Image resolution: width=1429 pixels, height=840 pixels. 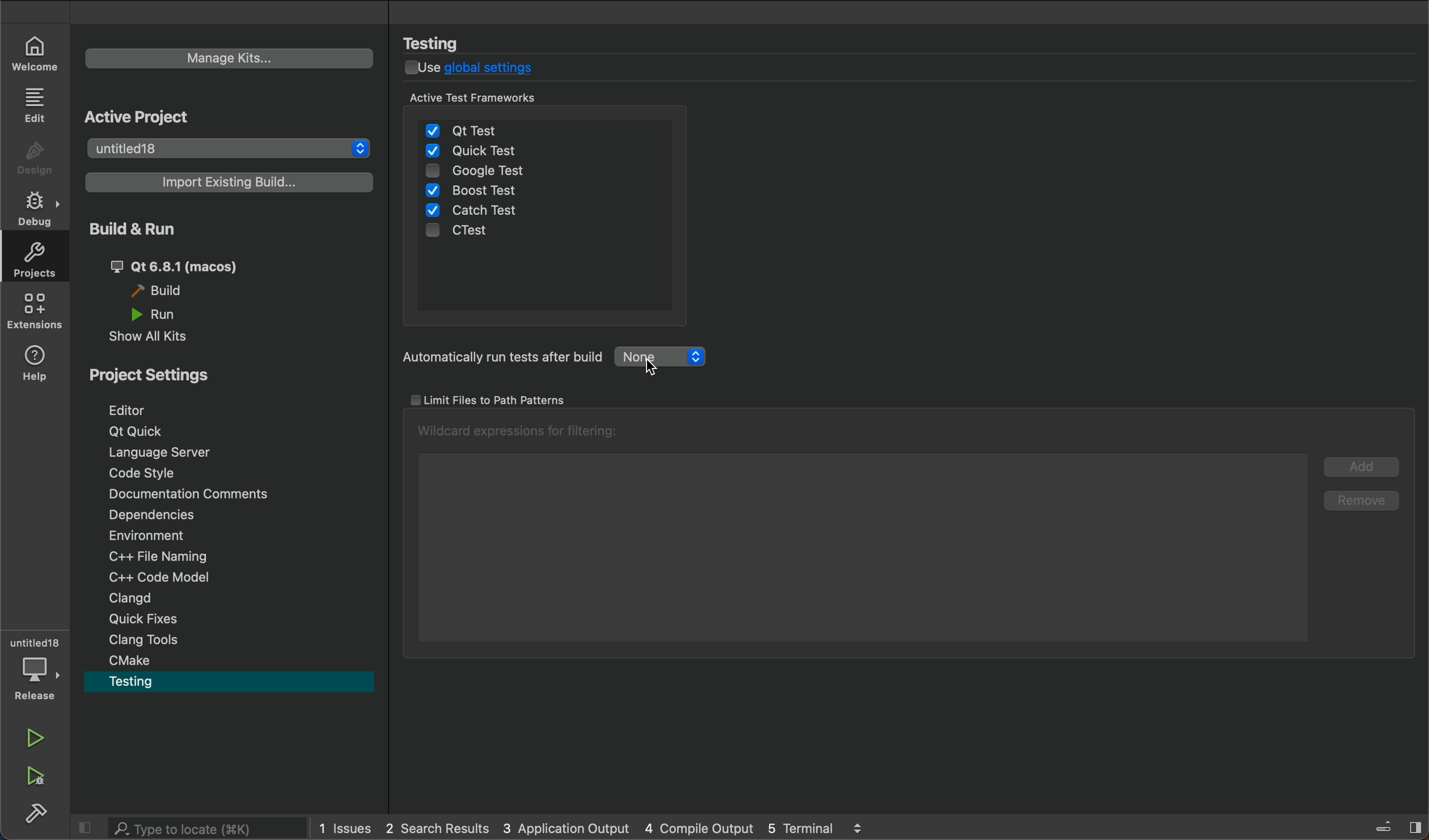 What do you see at coordinates (147, 230) in the screenshot?
I see `build and run` at bounding box center [147, 230].